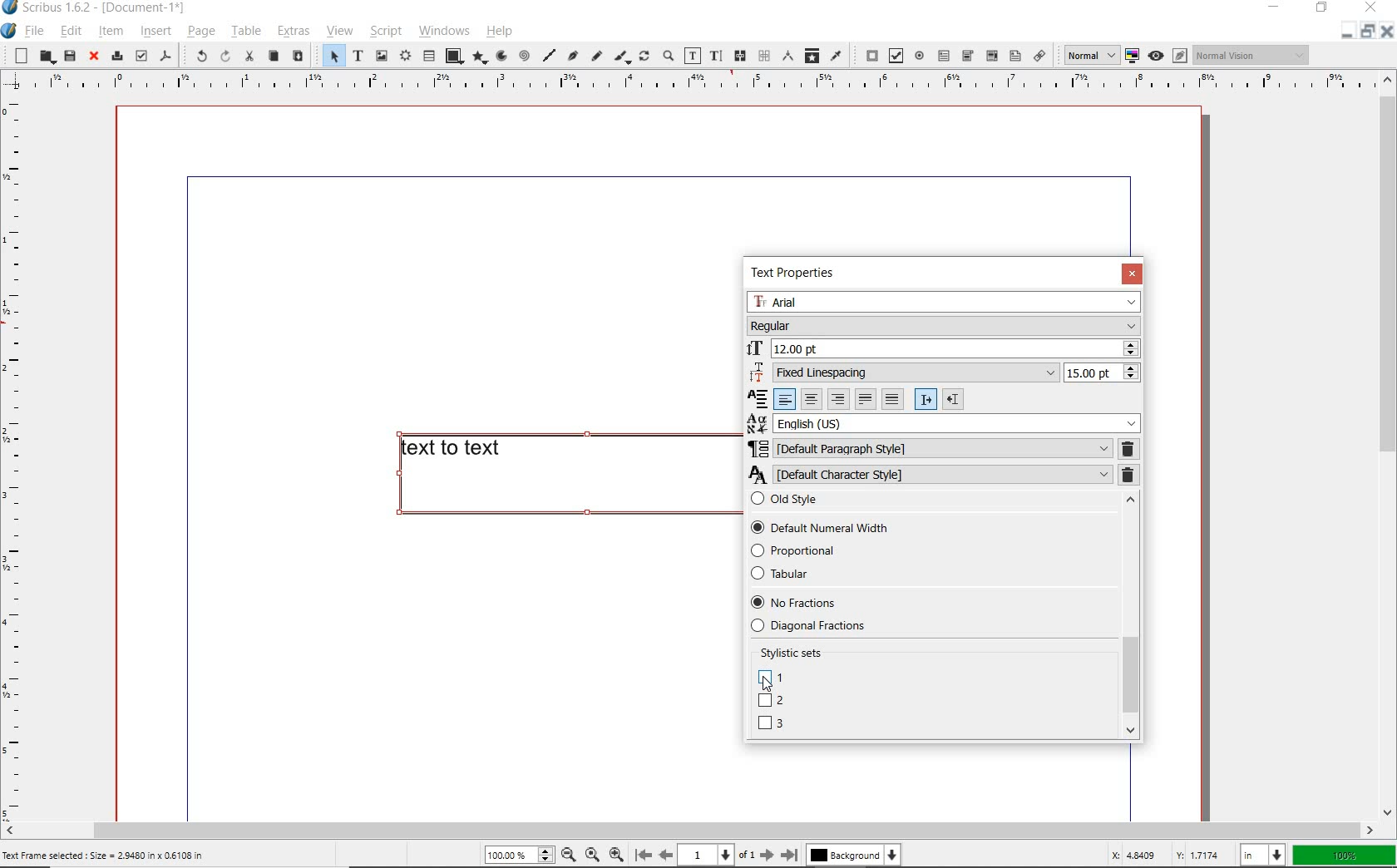 This screenshot has width=1397, height=868. What do you see at coordinates (760, 400) in the screenshot?
I see `Alignment` at bounding box center [760, 400].